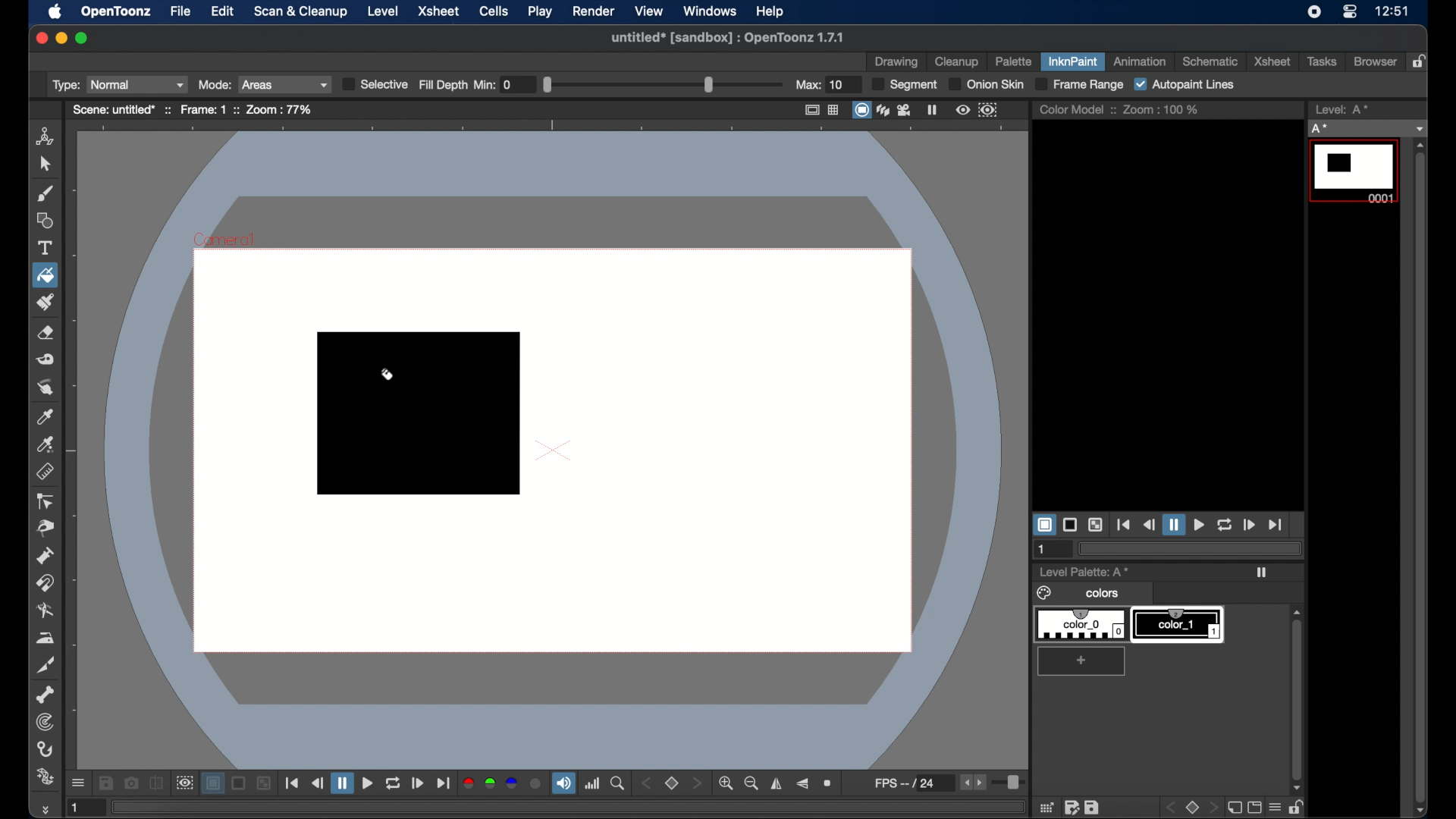  Describe the element at coordinates (541, 11) in the screenshot. I see `play` at that location.